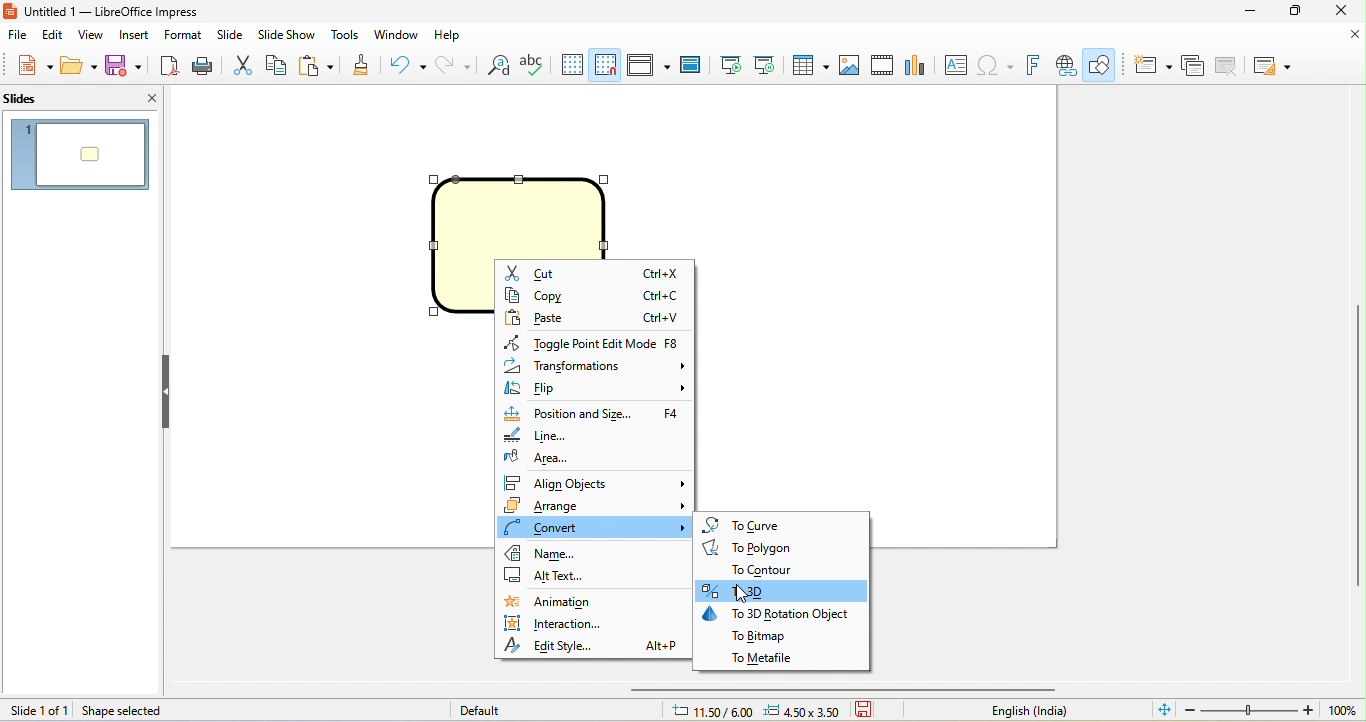  Describe the element at coordinates (1026, 711) in the screenshot. I see `text language` at that location.